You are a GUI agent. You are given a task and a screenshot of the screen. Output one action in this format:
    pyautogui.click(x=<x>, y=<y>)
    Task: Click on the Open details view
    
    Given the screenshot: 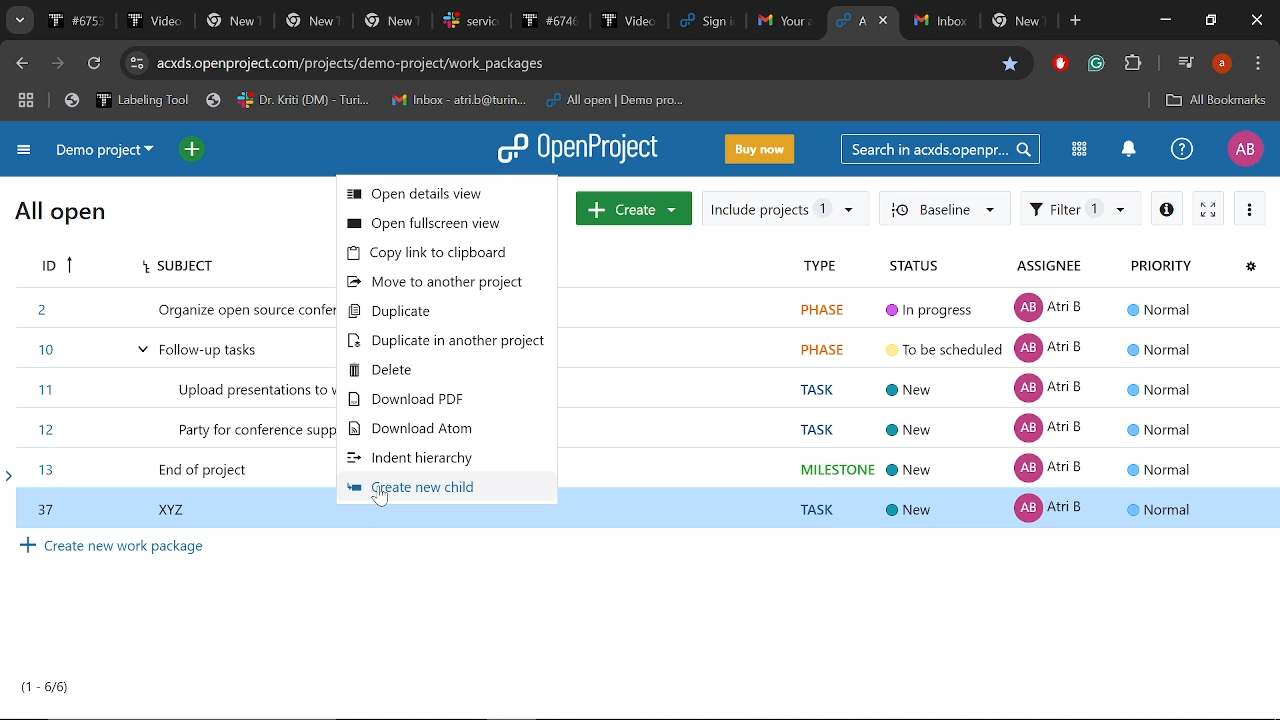 What is the action you would take?
    pyautogui.click(x=1166, y=207)
    